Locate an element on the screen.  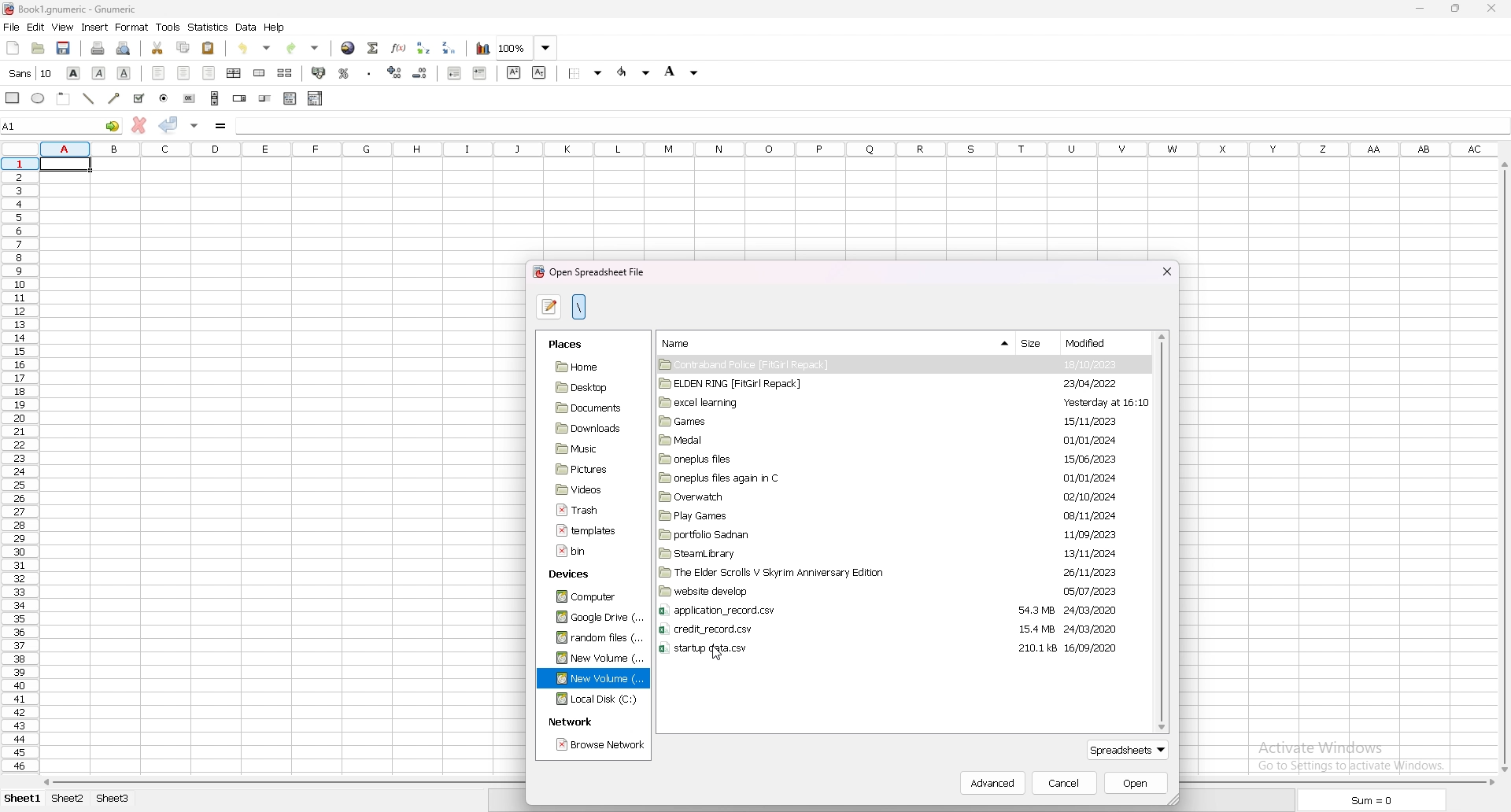
print preview is located at coordinates (126, 49).